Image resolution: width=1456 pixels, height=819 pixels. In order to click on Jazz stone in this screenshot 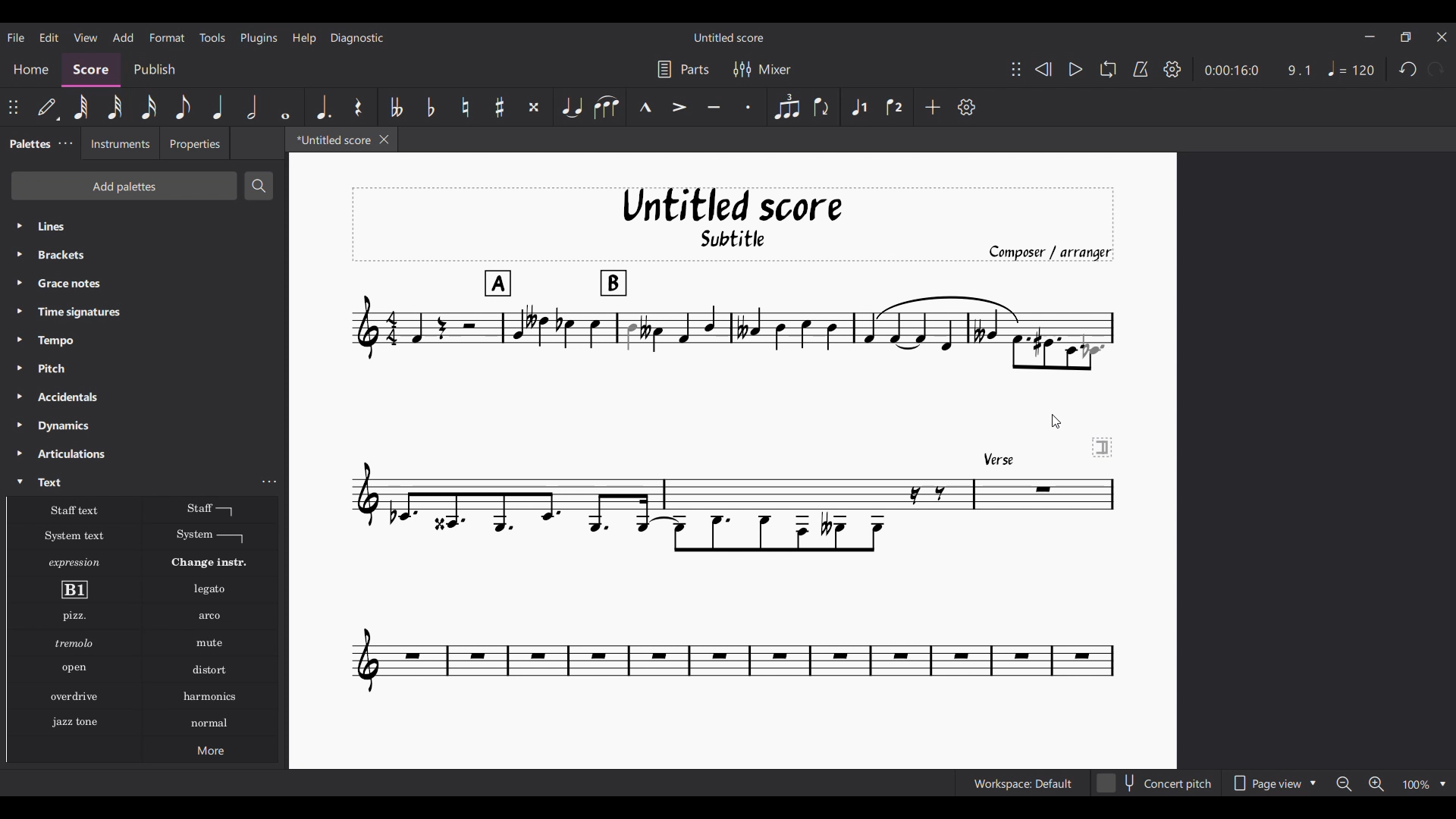, I will do `click(74, 723)`.